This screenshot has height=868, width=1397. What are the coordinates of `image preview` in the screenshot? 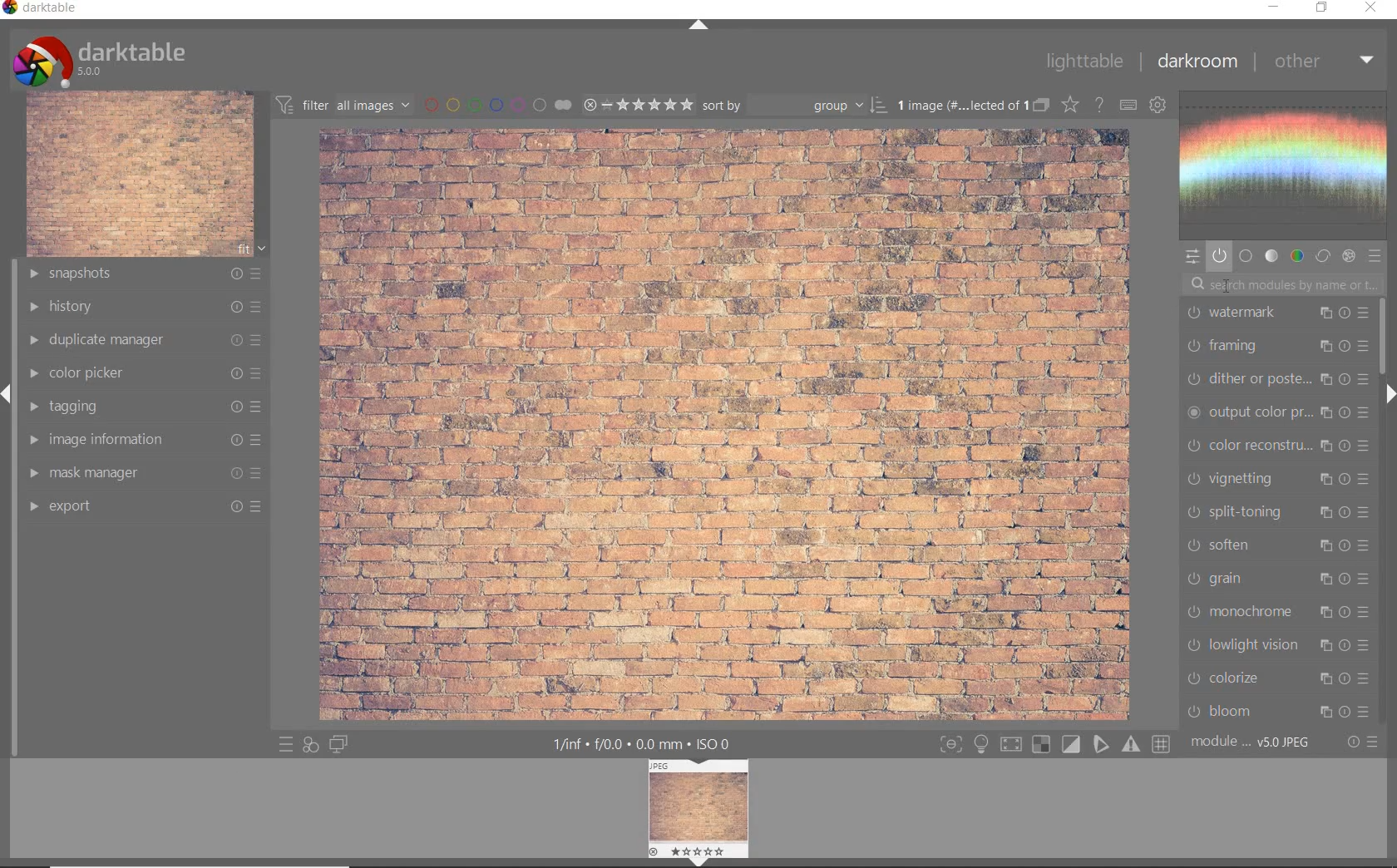 It's located at (700, 806).